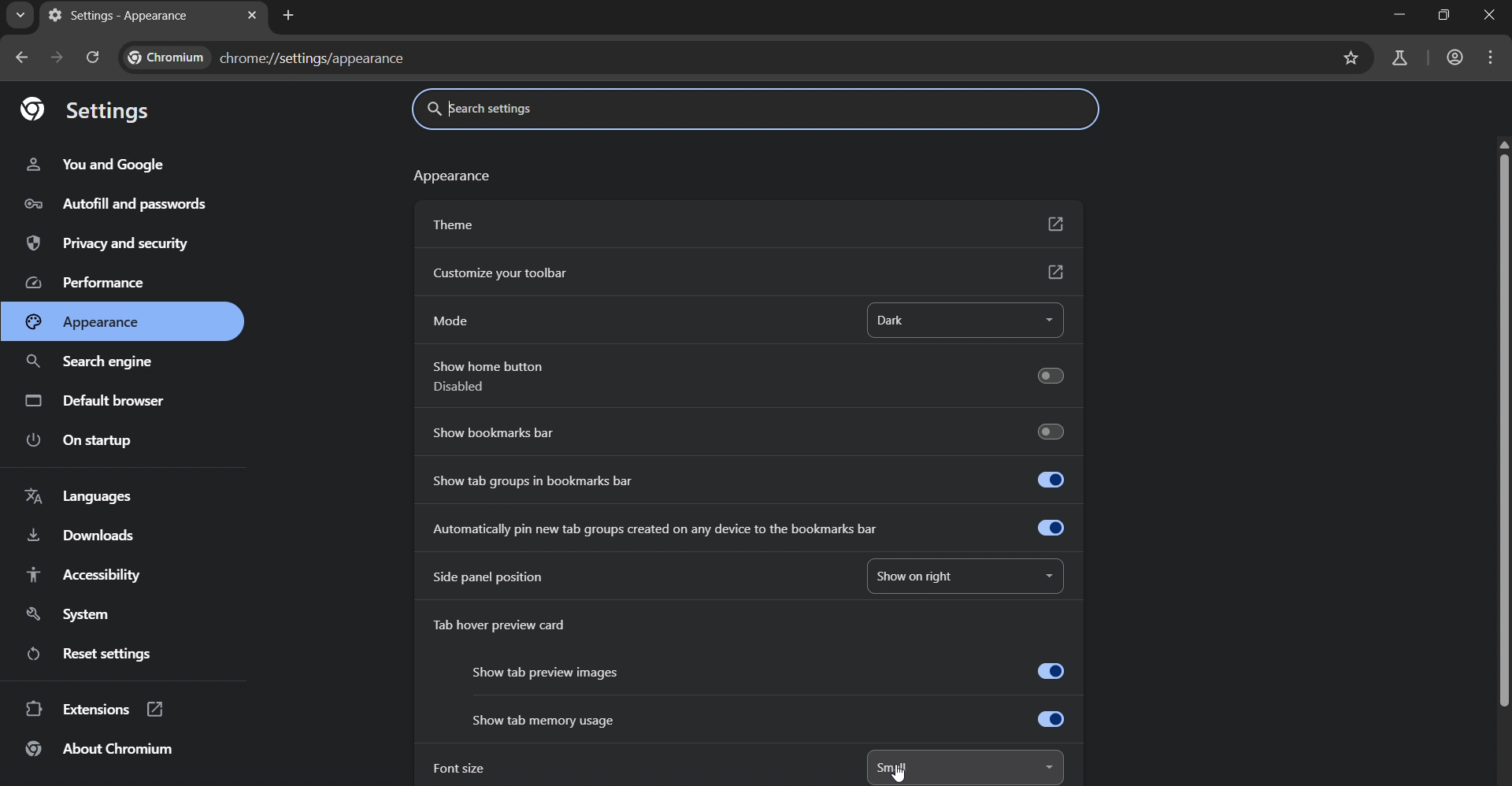 The image size is (1512, 786). What do you see at coordinates (1403, 15) in the screenshot?
I see `minimize` at bounding box center [1403, 15].